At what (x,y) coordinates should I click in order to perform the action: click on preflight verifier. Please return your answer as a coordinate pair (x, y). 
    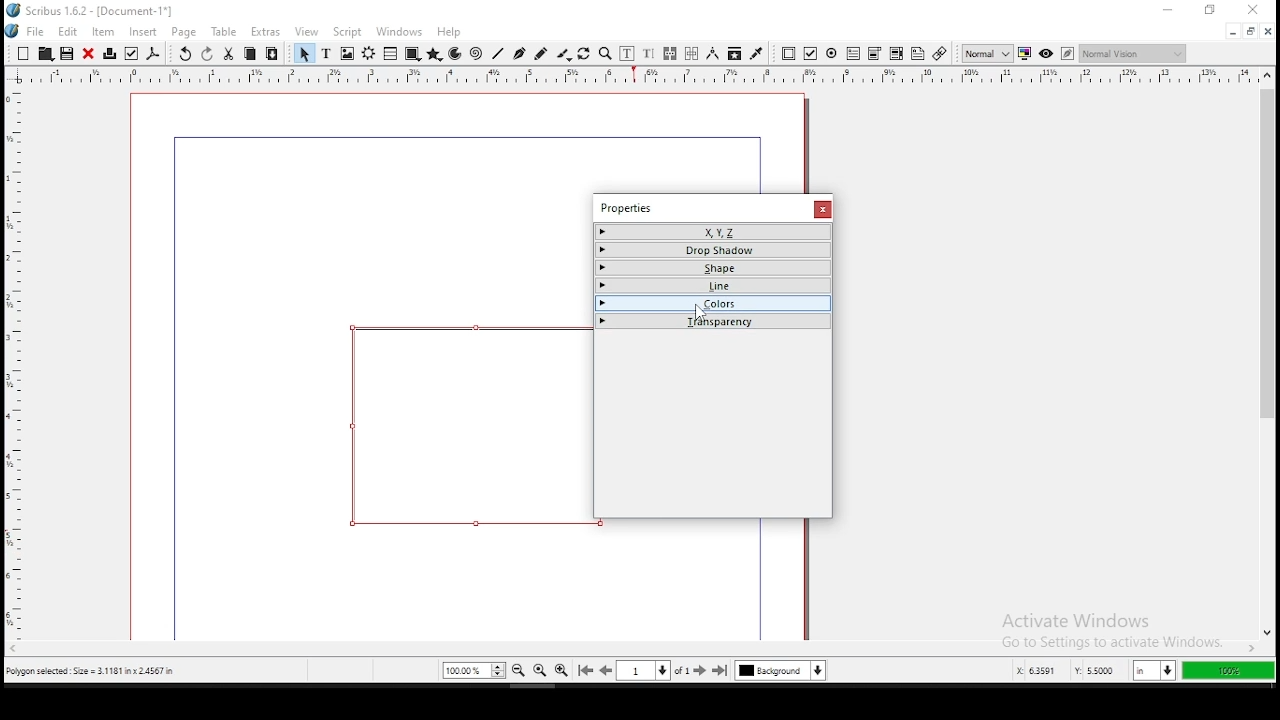
    Looking at the image, I should click on (130, 54).